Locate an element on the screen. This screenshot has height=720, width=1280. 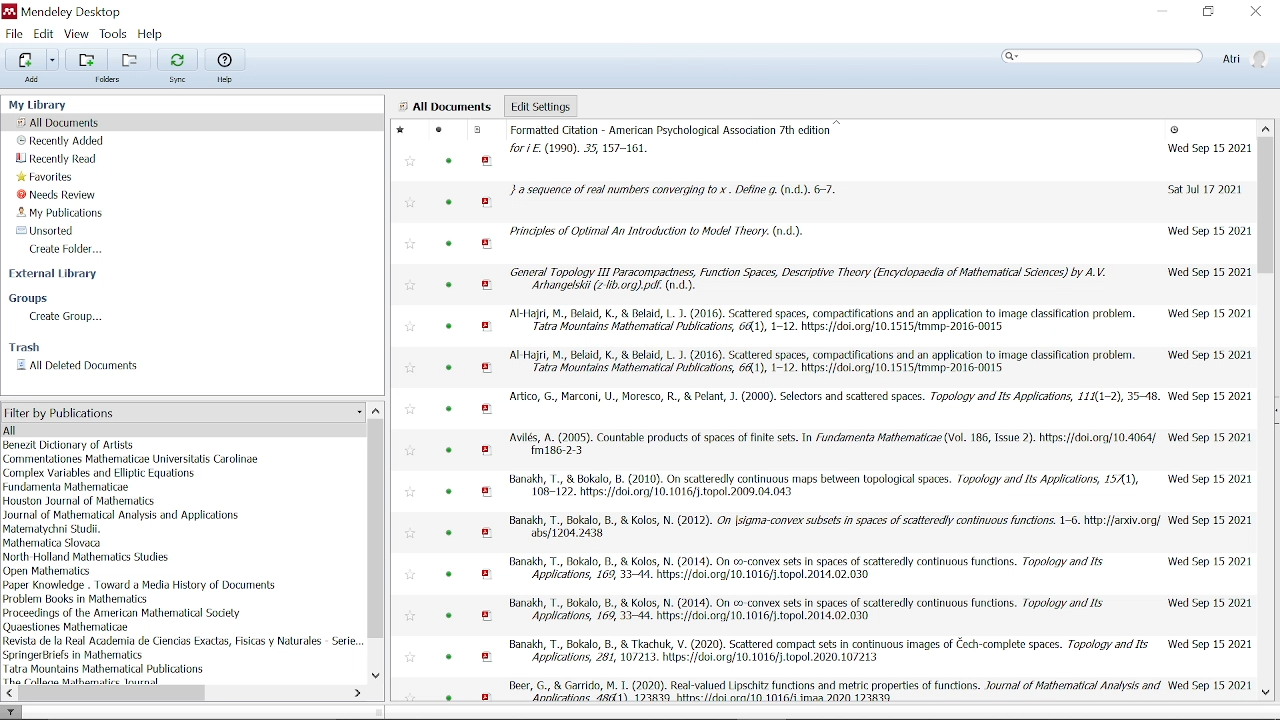
date time is located at coordinates (1211, 603).